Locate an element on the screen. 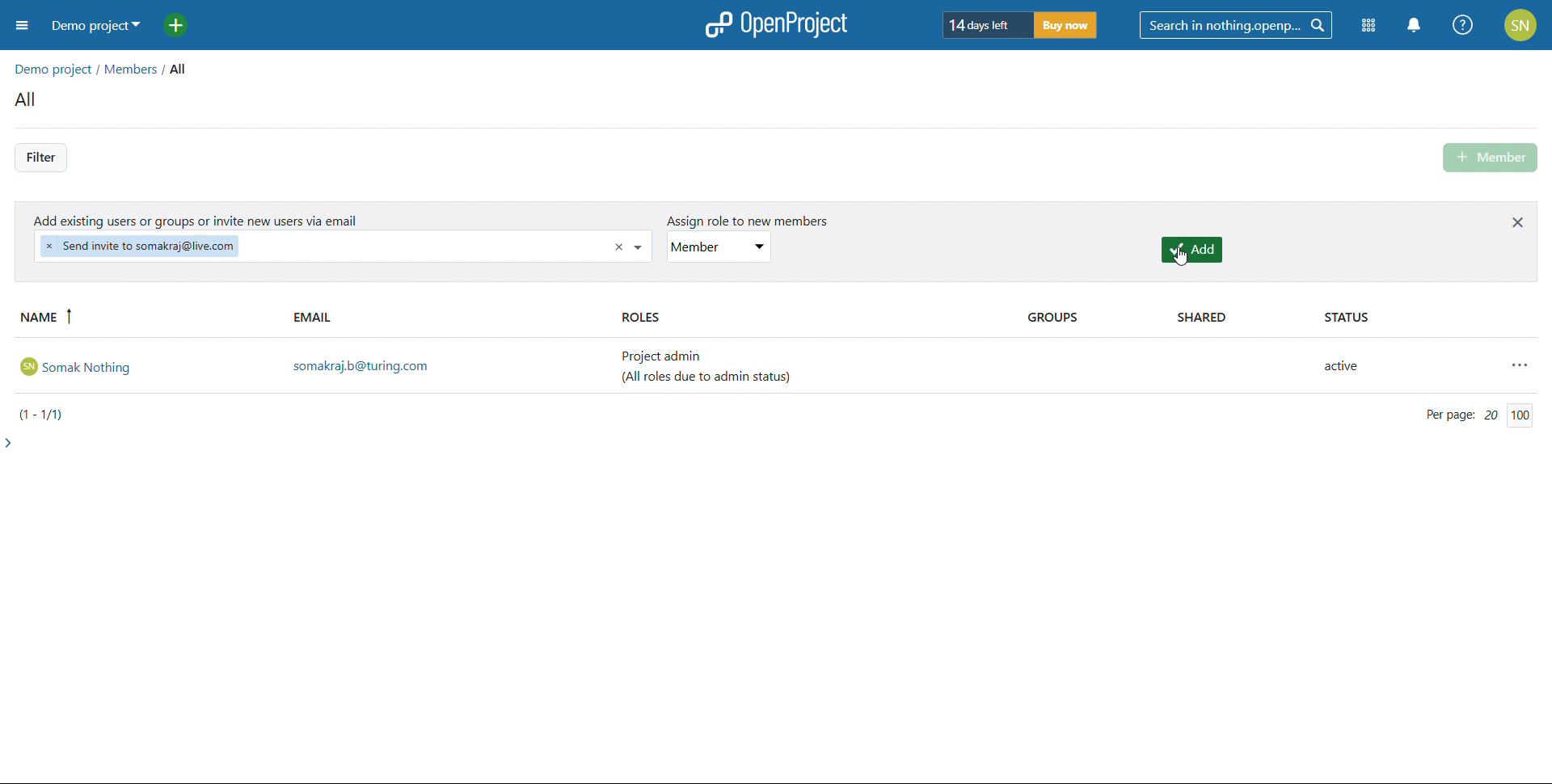  assign role to new members is located at coordinates (740, 221).